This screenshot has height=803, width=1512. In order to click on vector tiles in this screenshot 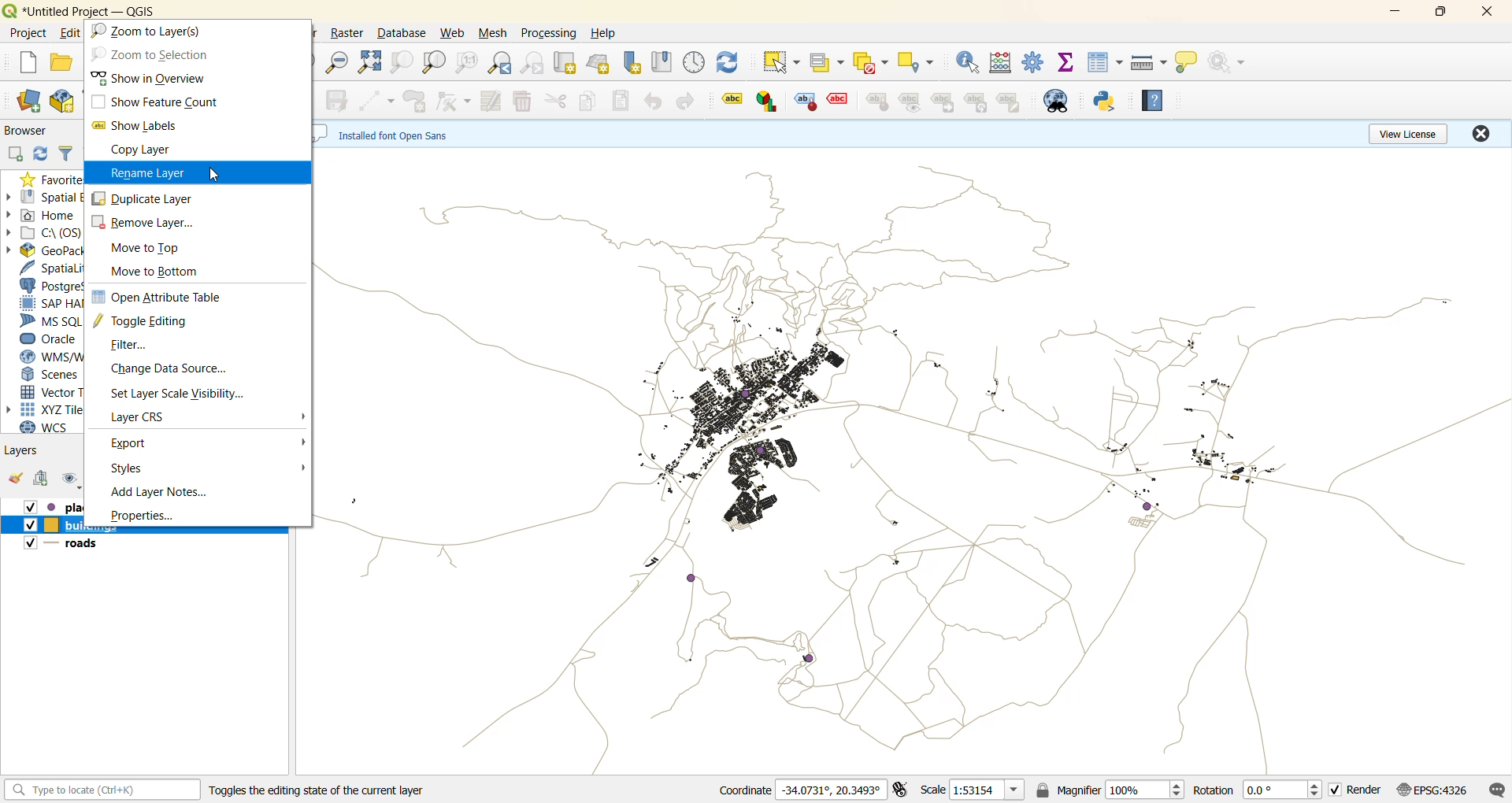, I will do `click(52, 391)`.